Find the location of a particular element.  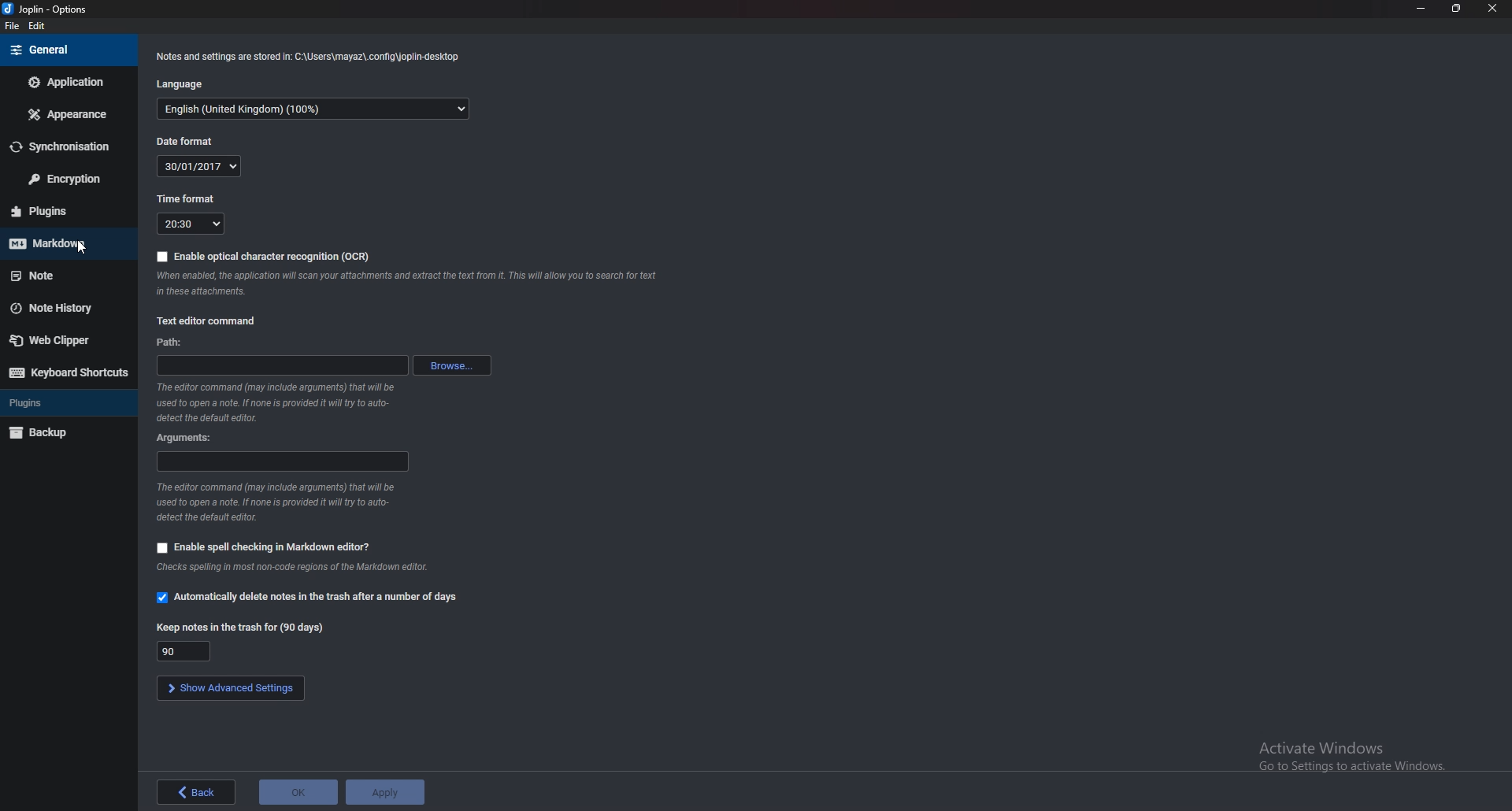

Keep notes in the trash for is located at coordinates (242, 626).